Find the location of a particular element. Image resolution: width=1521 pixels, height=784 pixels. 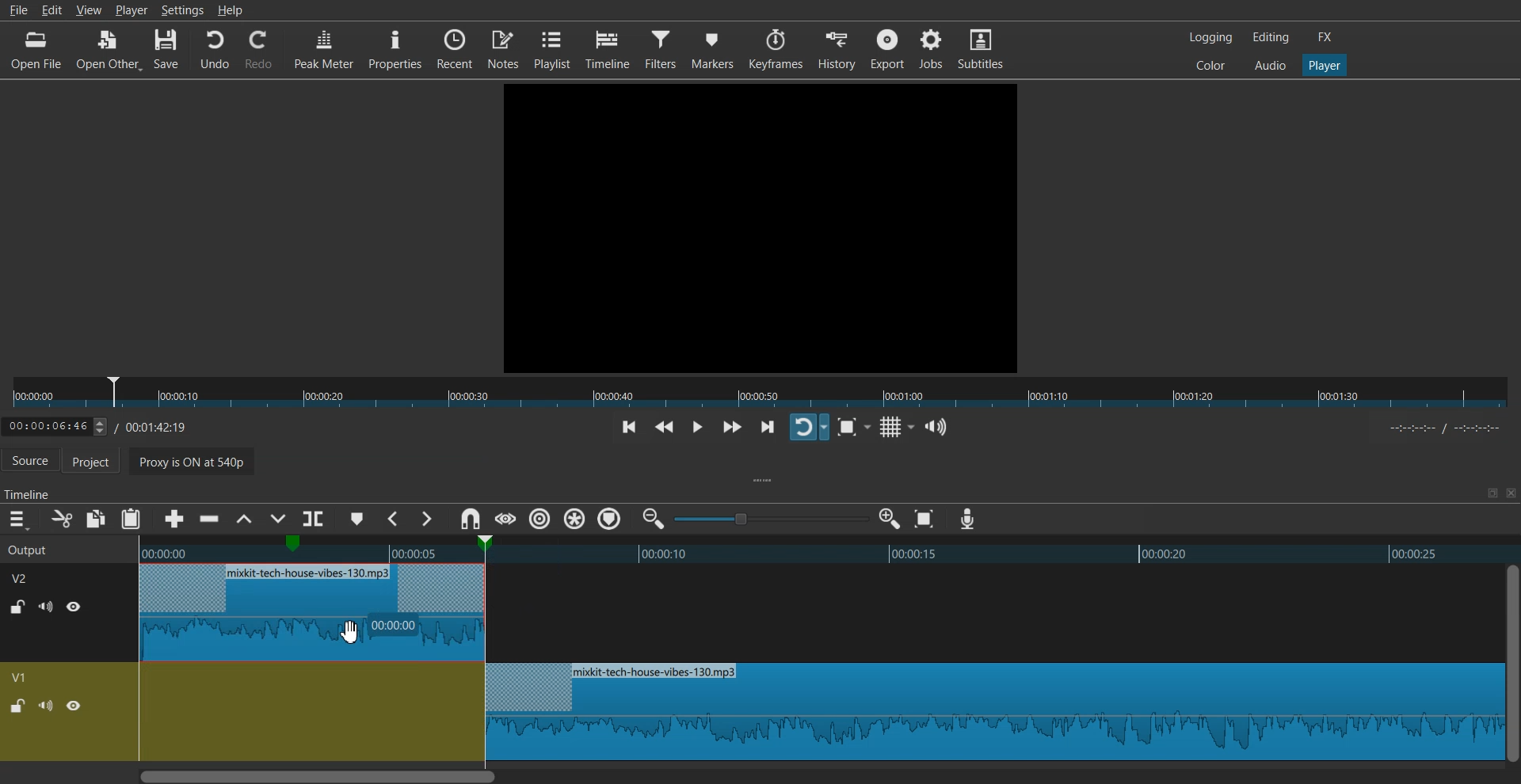

Append  is located at coordinates (175, 519).